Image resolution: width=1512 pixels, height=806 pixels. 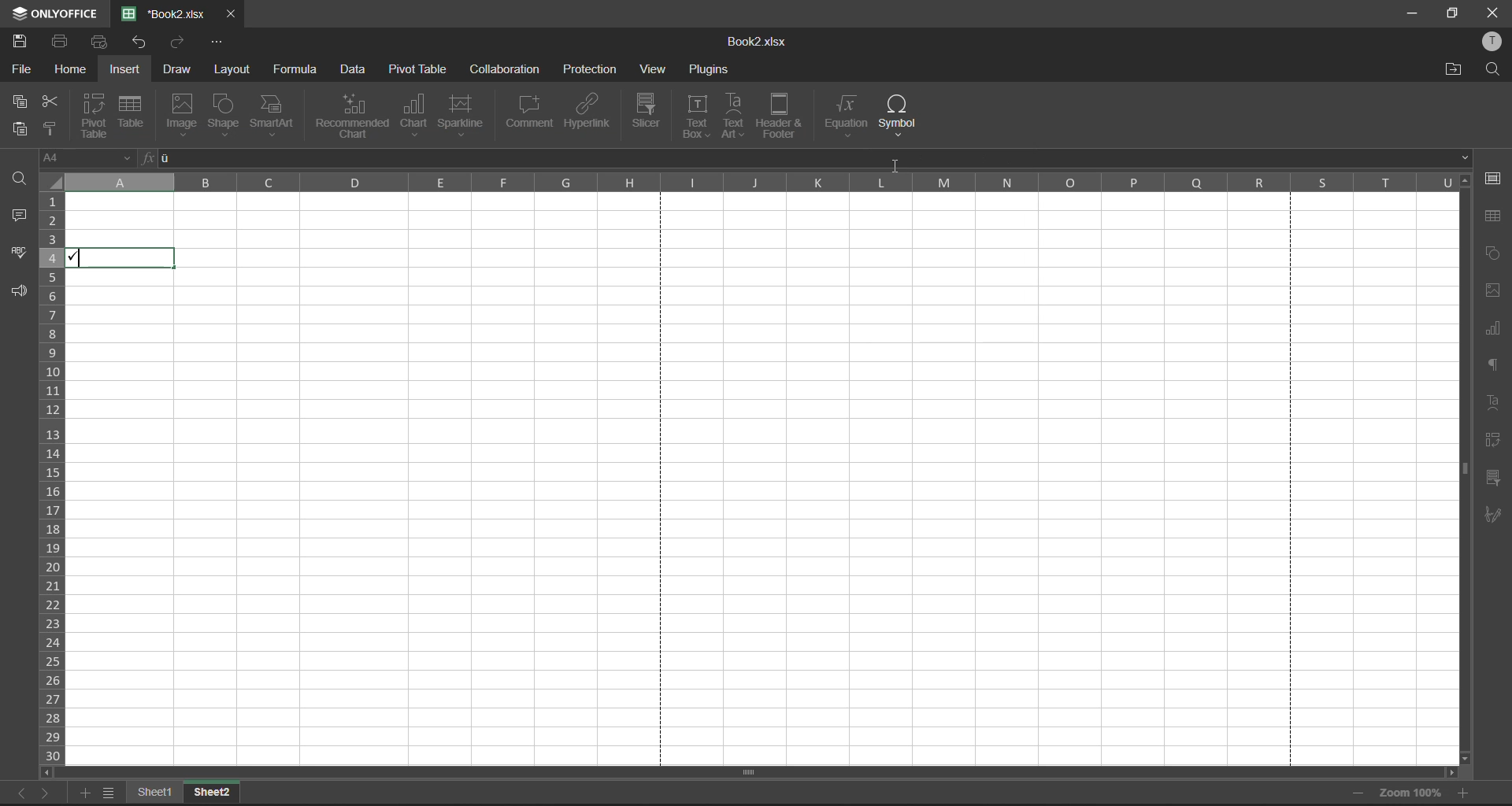 What do you see at coordinates (1492, 42) in the screenshot?
I see `profile` at bounding box center [1492, 42].